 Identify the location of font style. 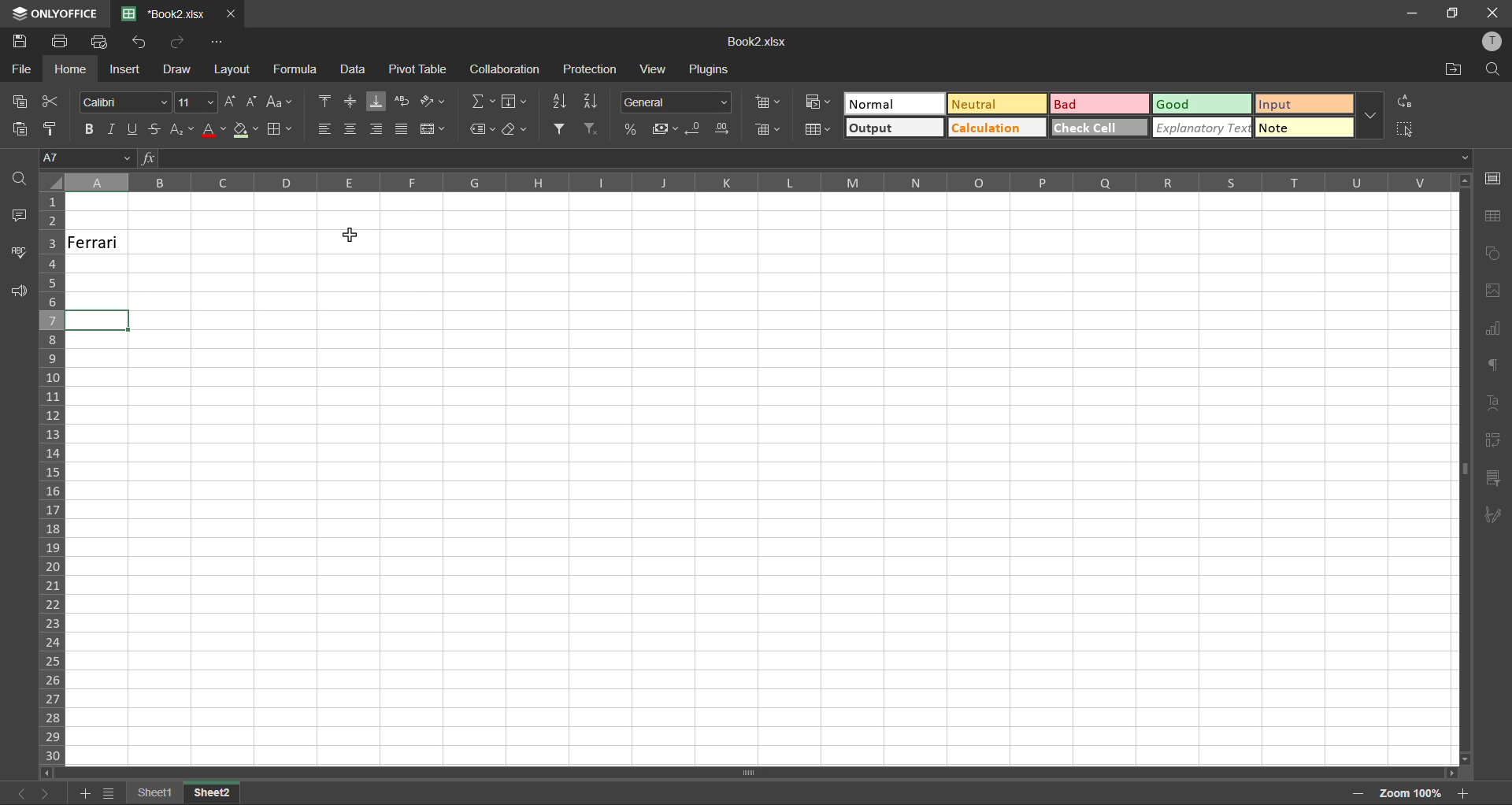
(124, 103).